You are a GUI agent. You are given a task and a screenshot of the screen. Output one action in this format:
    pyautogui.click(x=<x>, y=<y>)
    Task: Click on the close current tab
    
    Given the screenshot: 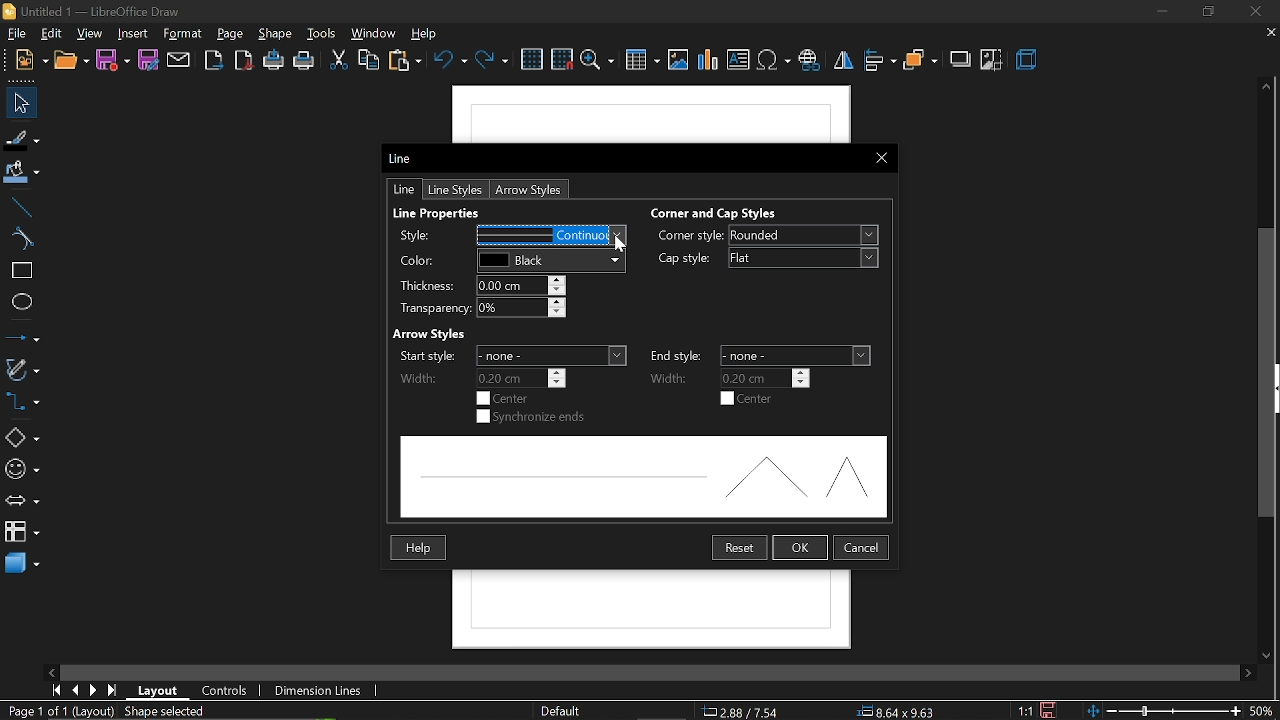 What is the action you would take?
    pyautogui.click(x=1269, y=35)
    